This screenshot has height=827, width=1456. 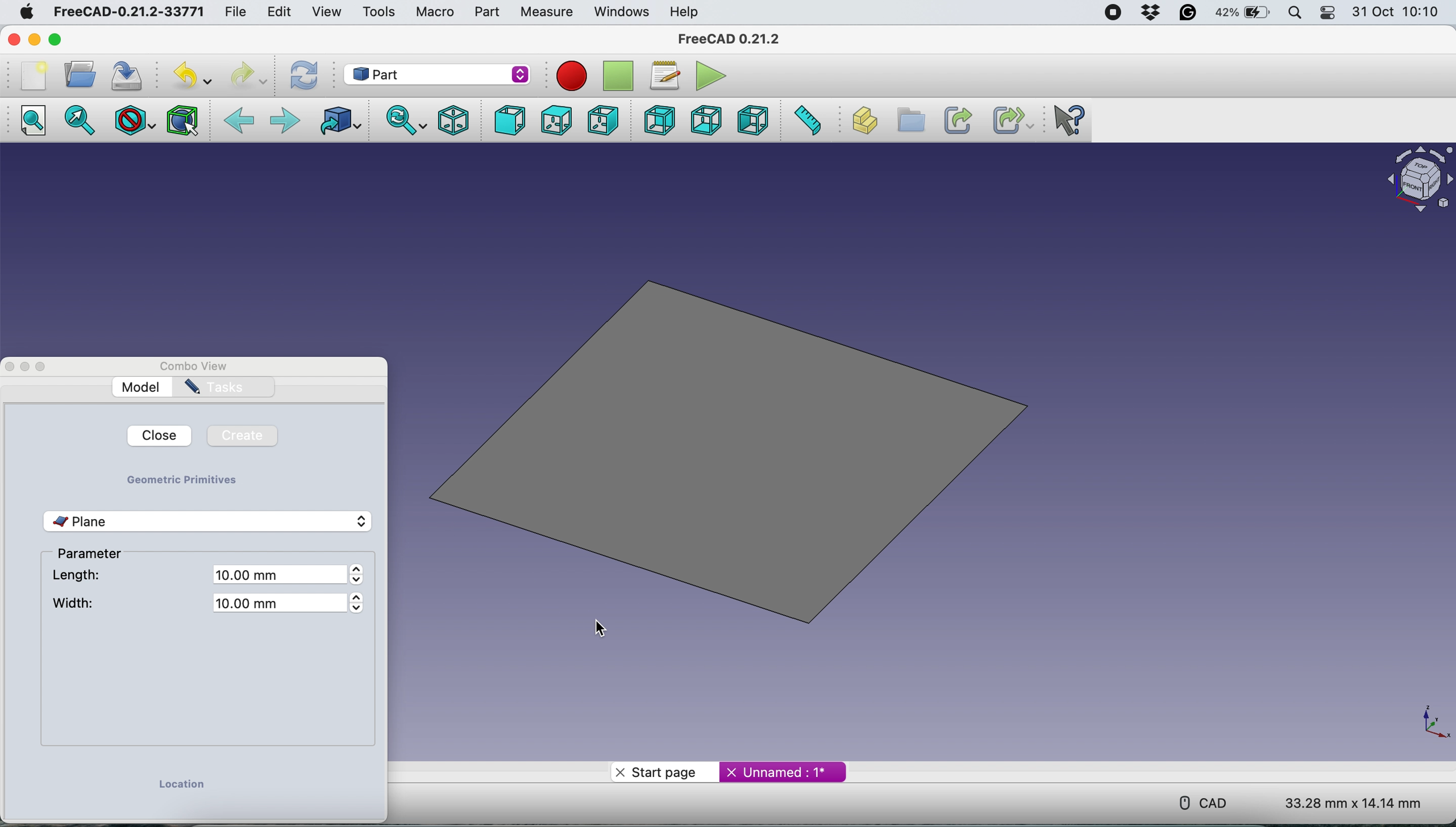 What do you see at coordinates (956, 119) in the screenshot?
I see `Make link` at bounding box center [956, 119].